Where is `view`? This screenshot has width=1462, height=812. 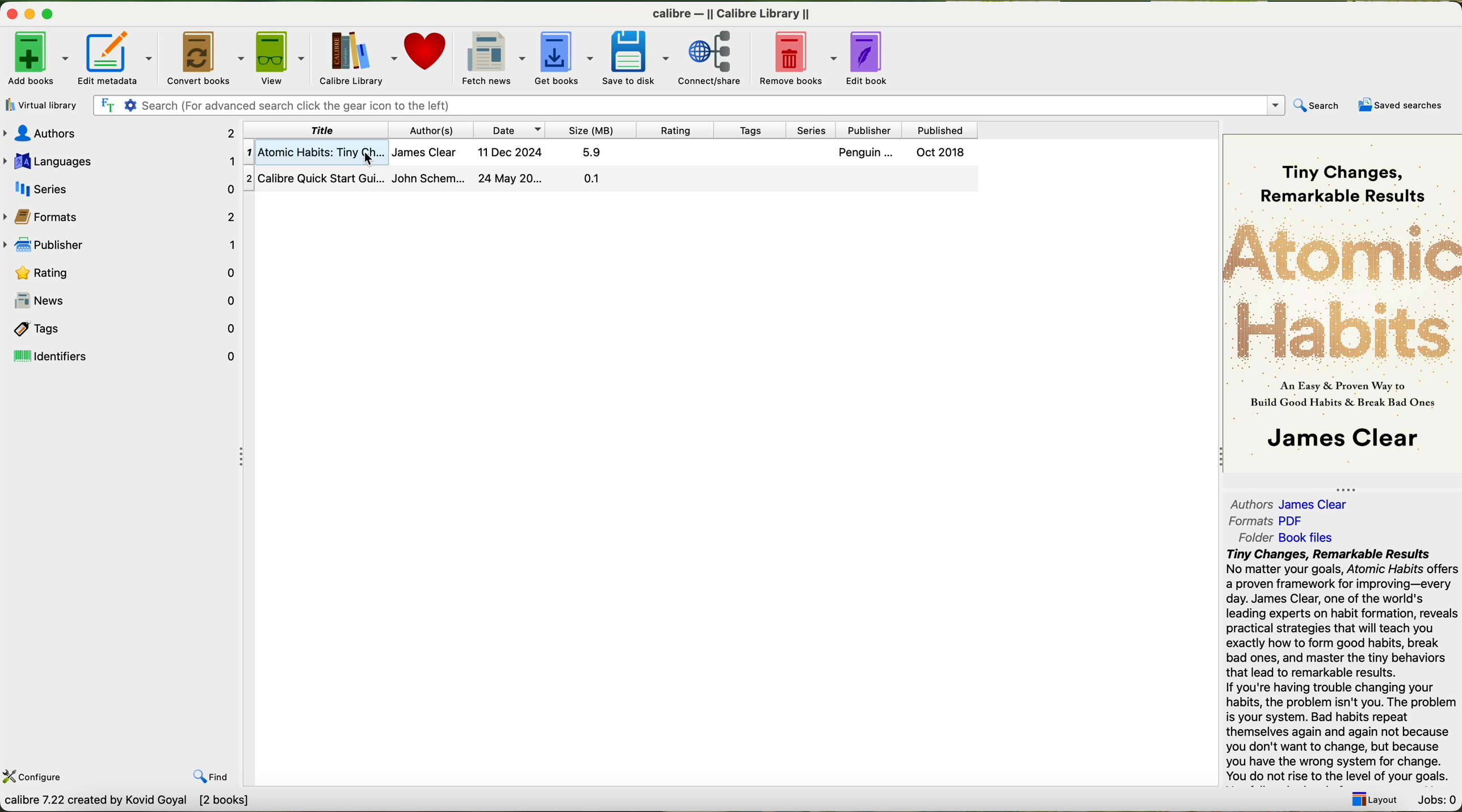 view is located at coordinates (279, 58).